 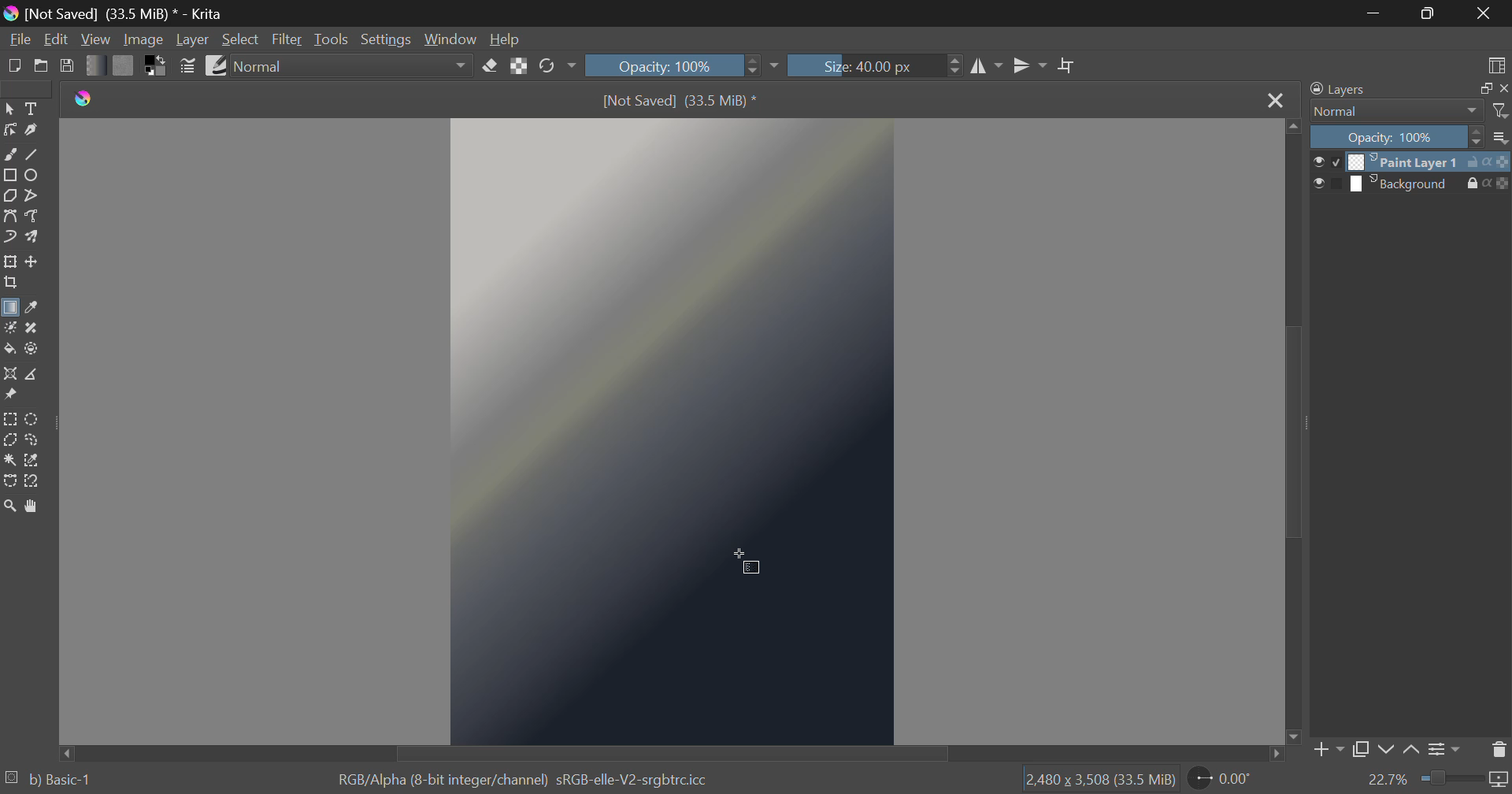 I want to click on Layers, so click(x=1338, y=90).